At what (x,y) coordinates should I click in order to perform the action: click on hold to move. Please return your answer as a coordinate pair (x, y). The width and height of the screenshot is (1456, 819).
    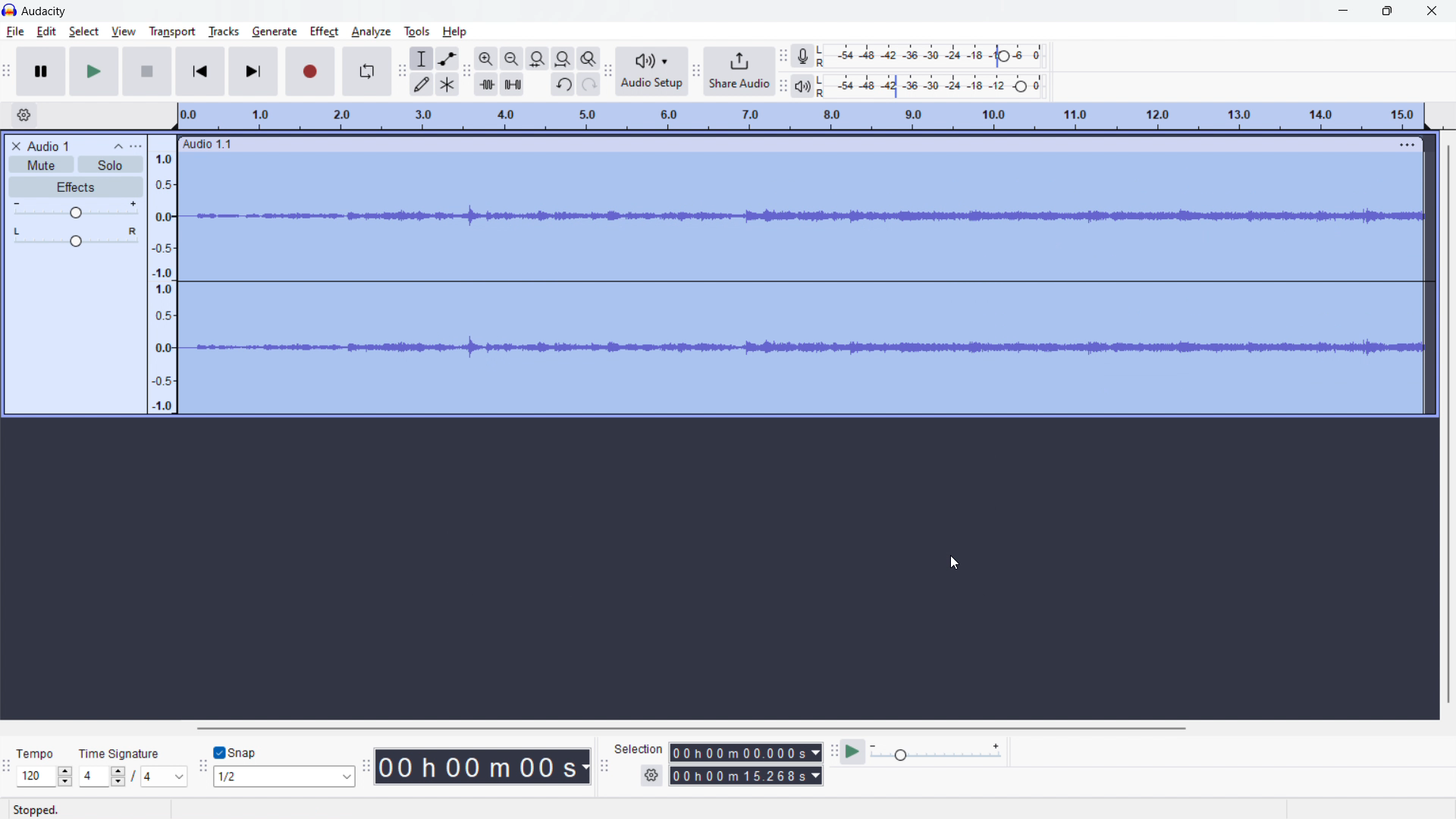
    Looking at the image, I should click on (783, 145).